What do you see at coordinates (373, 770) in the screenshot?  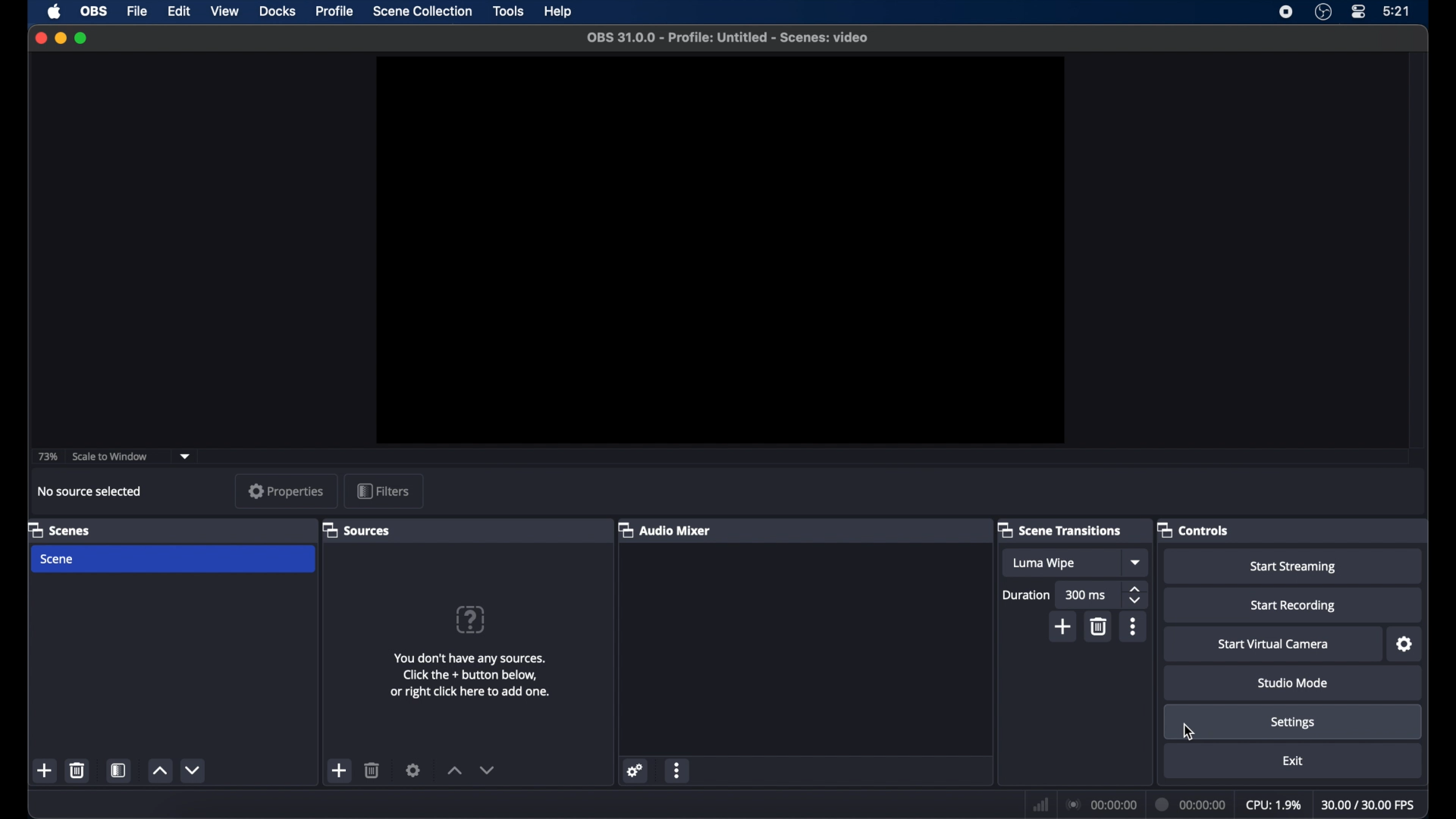 I see `delete` at bounding box center [373, 770].